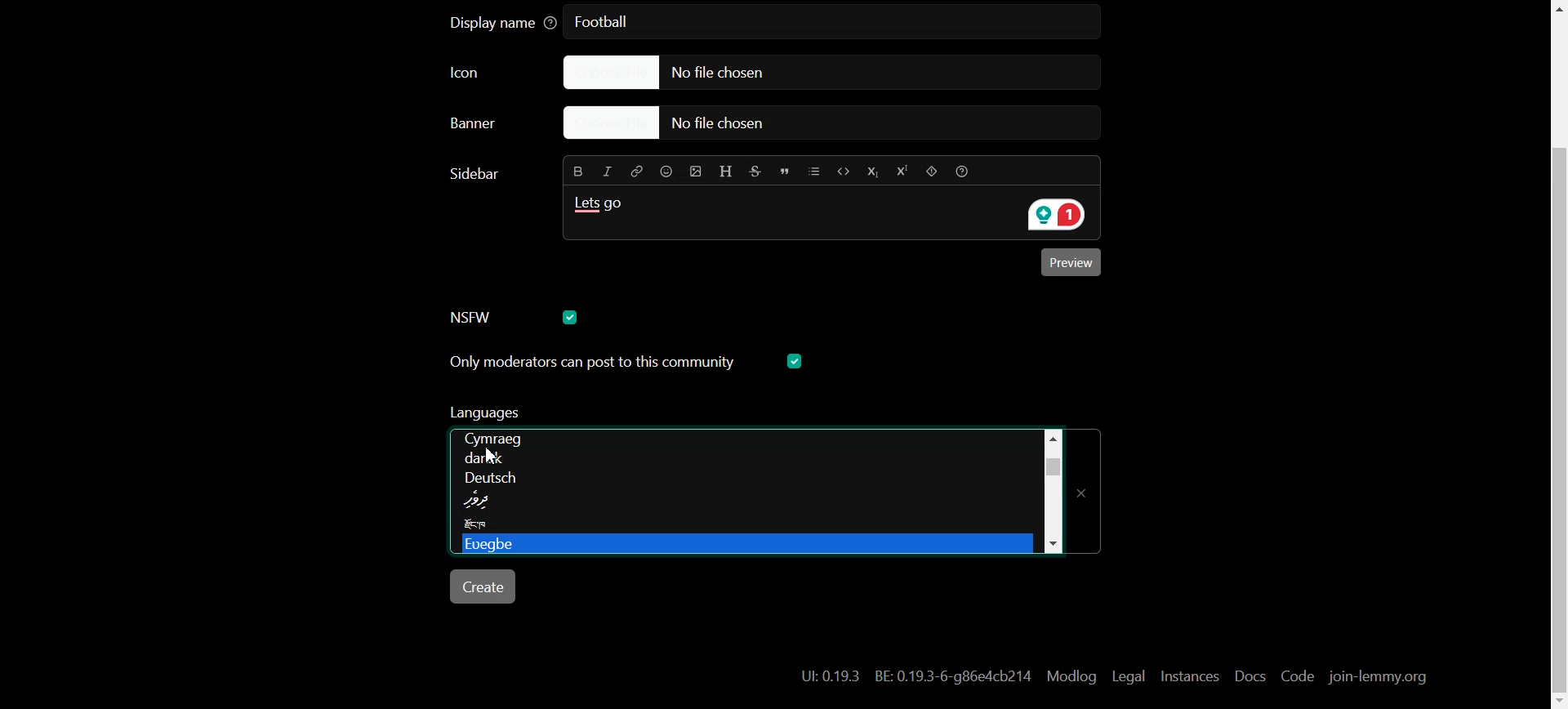 Image resolution: width=1568 pixels, height=709 pixels. What do you see at coordinates (738, 508) in the screenshot?
I see `Language` at bounding box center [738, 508].